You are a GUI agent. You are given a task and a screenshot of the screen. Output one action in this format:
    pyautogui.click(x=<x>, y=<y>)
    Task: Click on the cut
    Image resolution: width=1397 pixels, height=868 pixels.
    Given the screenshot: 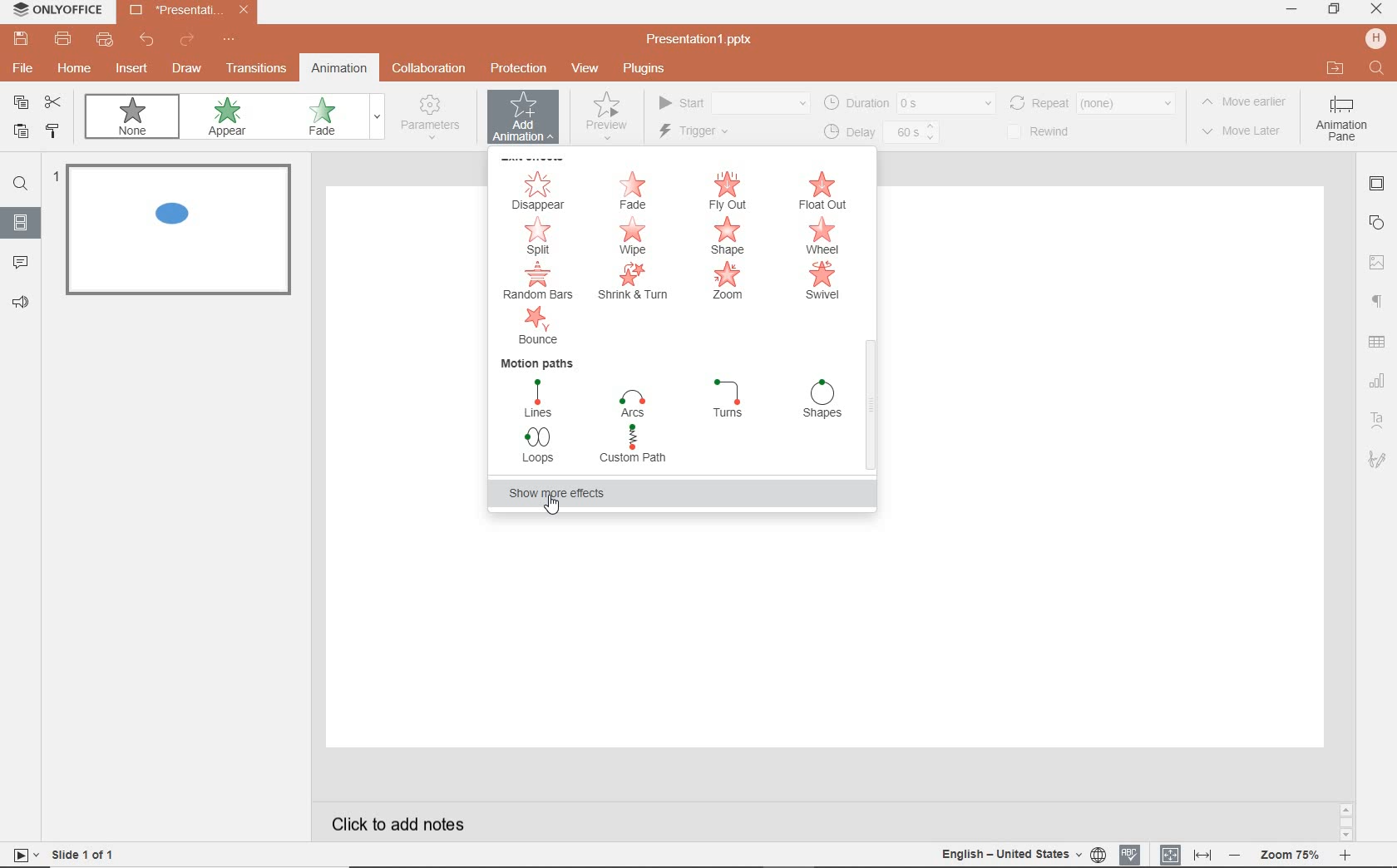 What is the action you would take?
    pyautogui.click(x=57, y=103)
    